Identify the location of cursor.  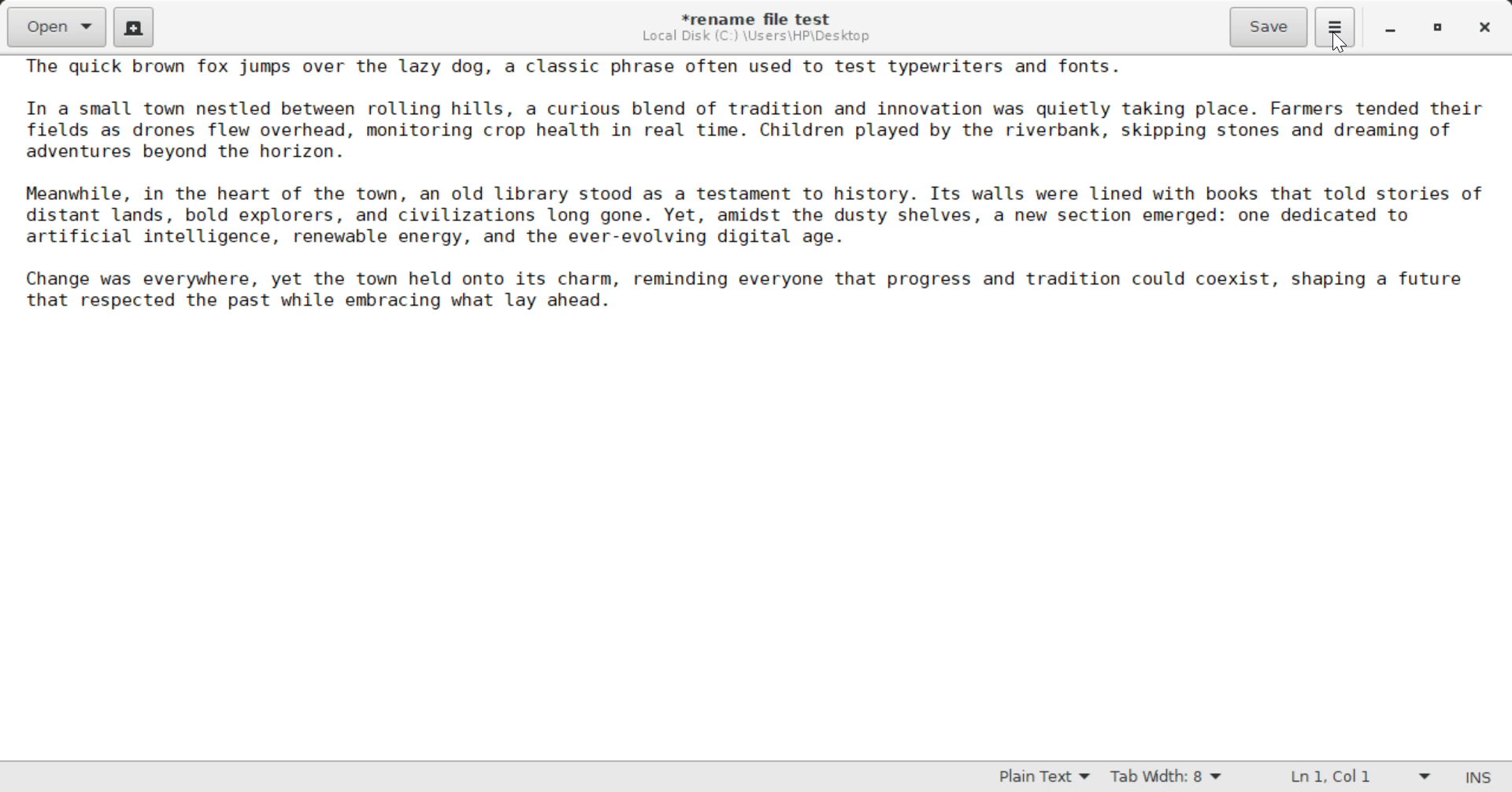
(1342, 43).